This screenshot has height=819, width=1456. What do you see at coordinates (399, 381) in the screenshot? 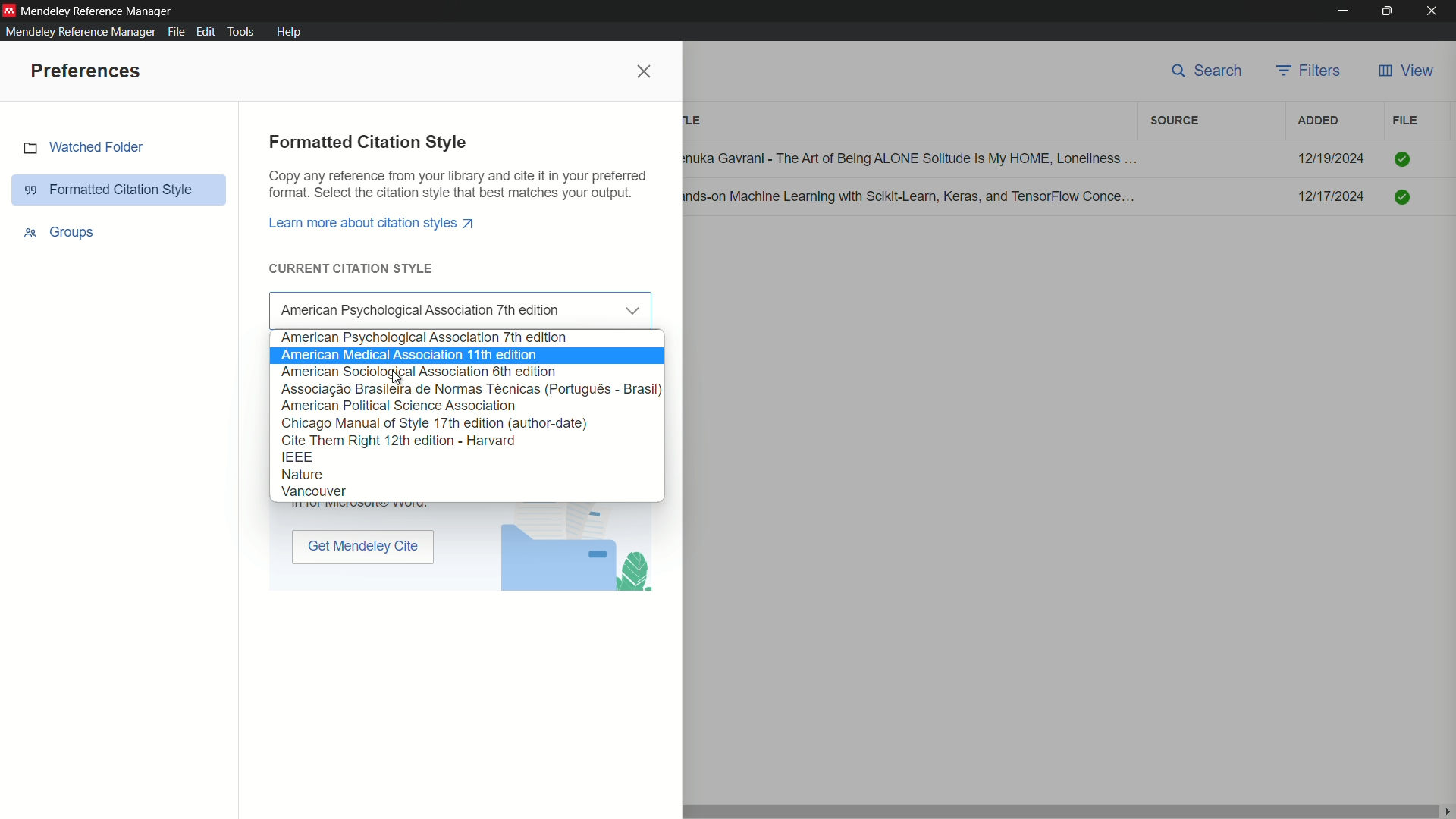
I see `cursor` at bounding box center [399, 381].